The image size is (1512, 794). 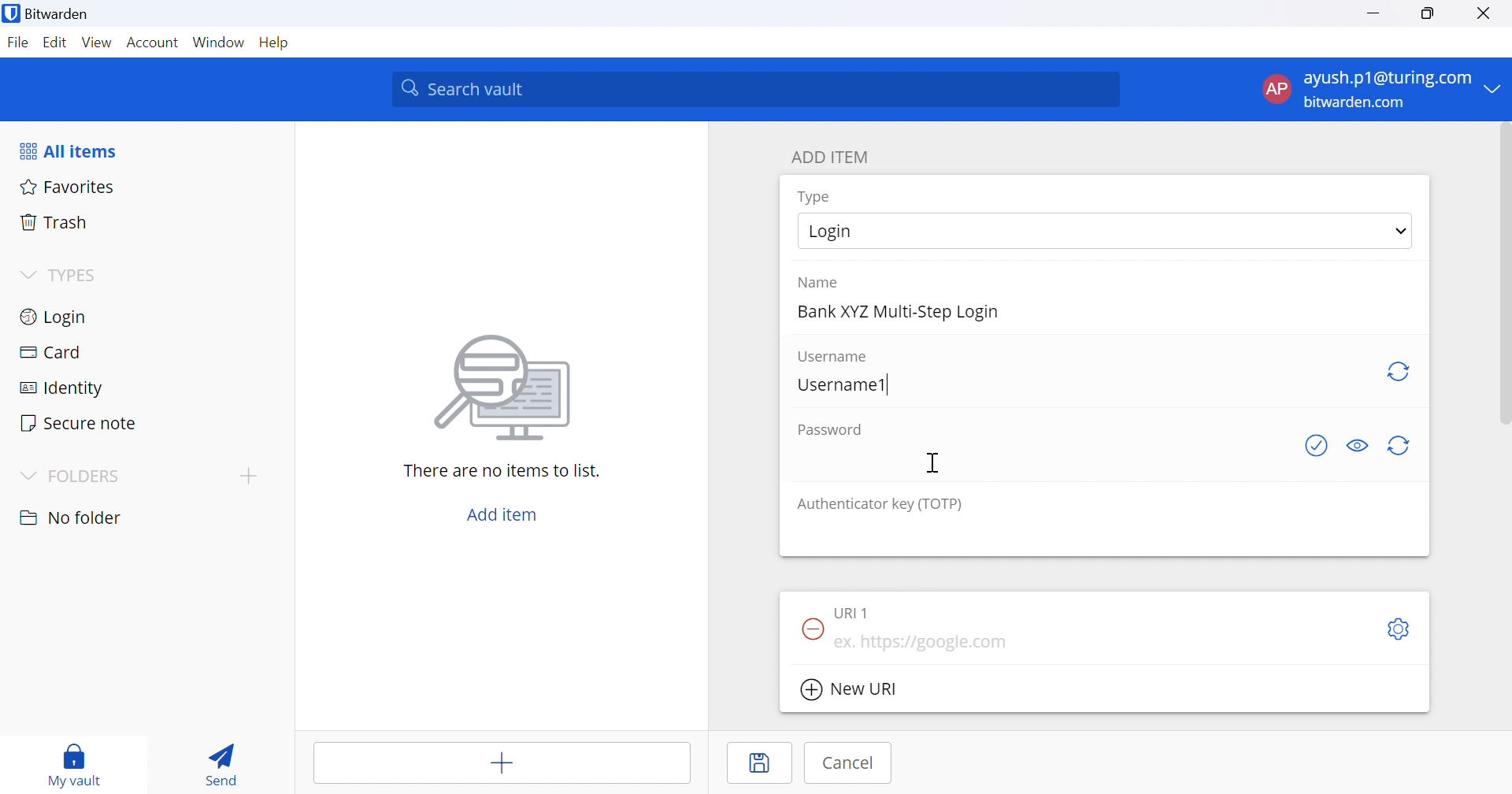 I want to click on Drop Down, so click(x=27, y=273).